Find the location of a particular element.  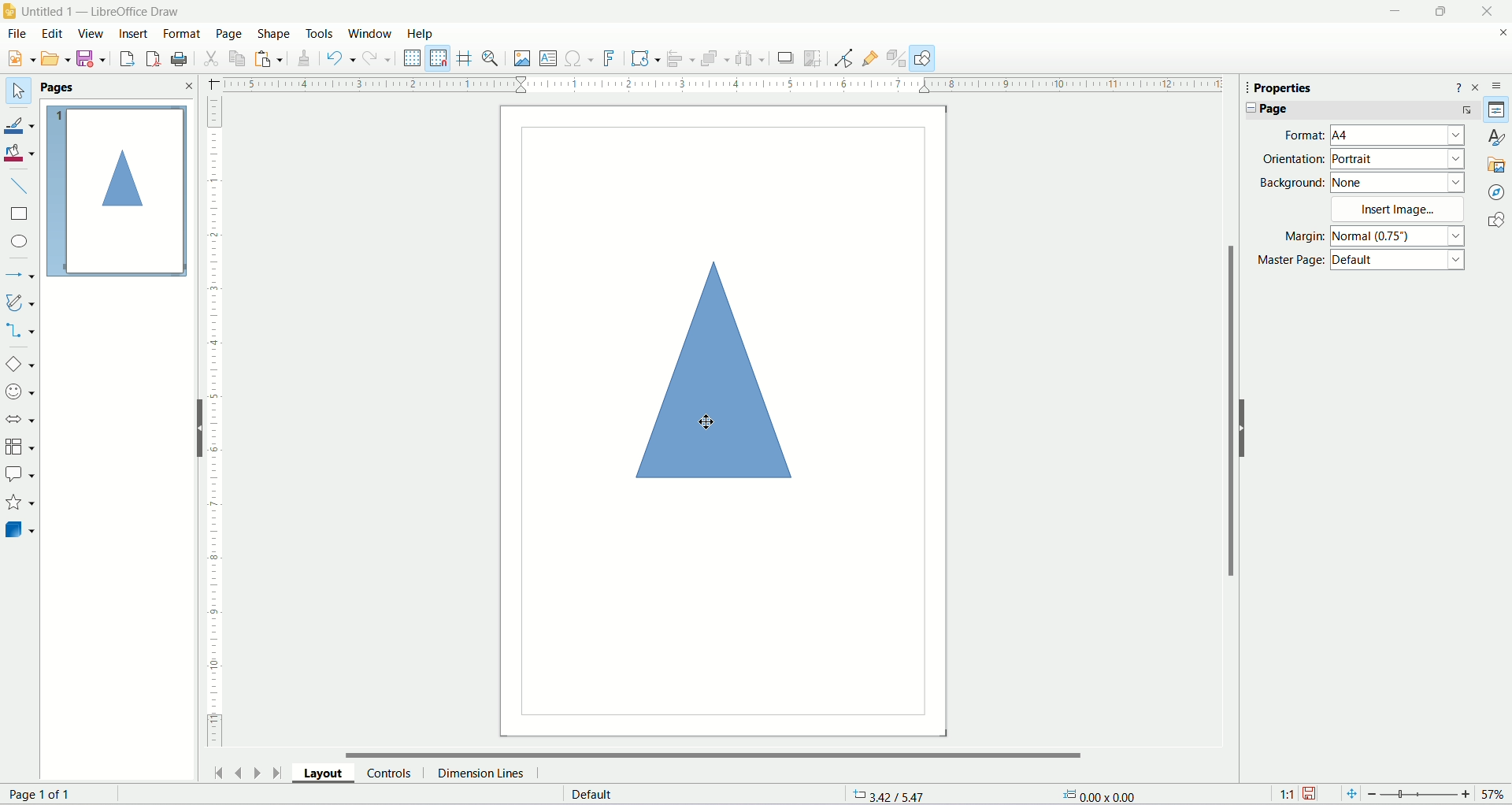

Page is located at coordinates (1269, 109).